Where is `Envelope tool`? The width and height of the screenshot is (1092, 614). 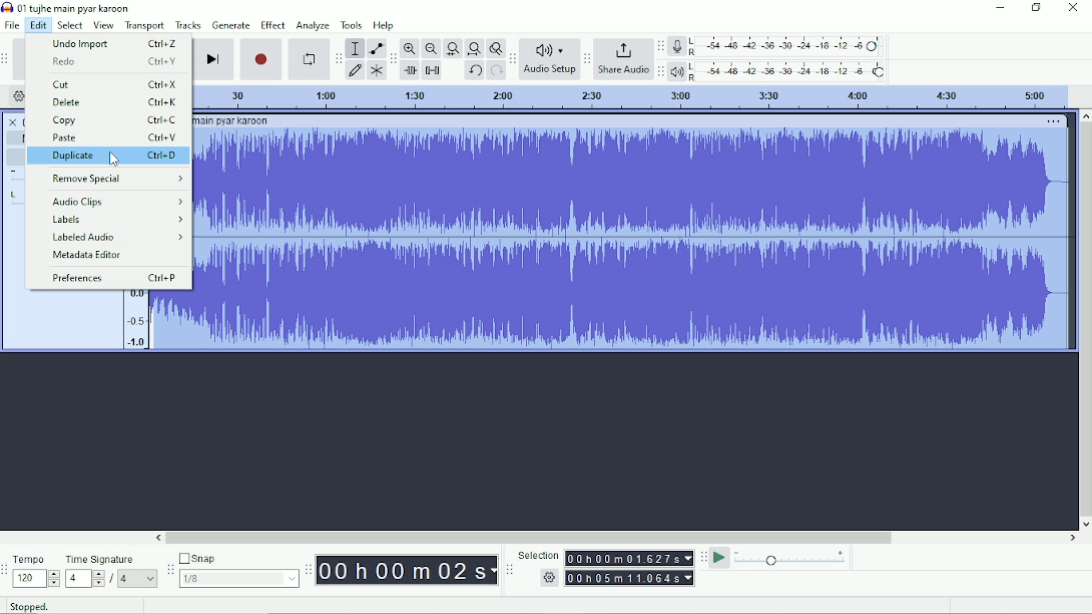 Envelope tool is located at coordinates (375, 47).